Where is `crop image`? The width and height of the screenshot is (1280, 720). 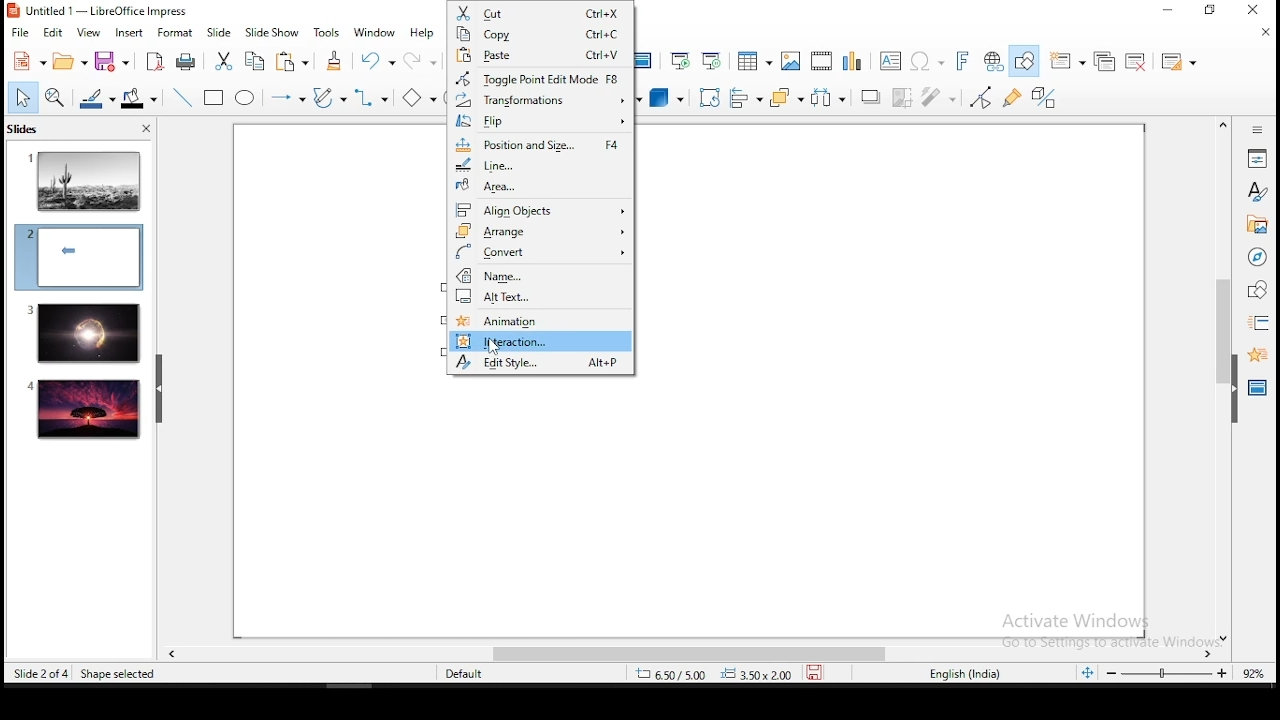 crop image is located at coordinates (906, 96).